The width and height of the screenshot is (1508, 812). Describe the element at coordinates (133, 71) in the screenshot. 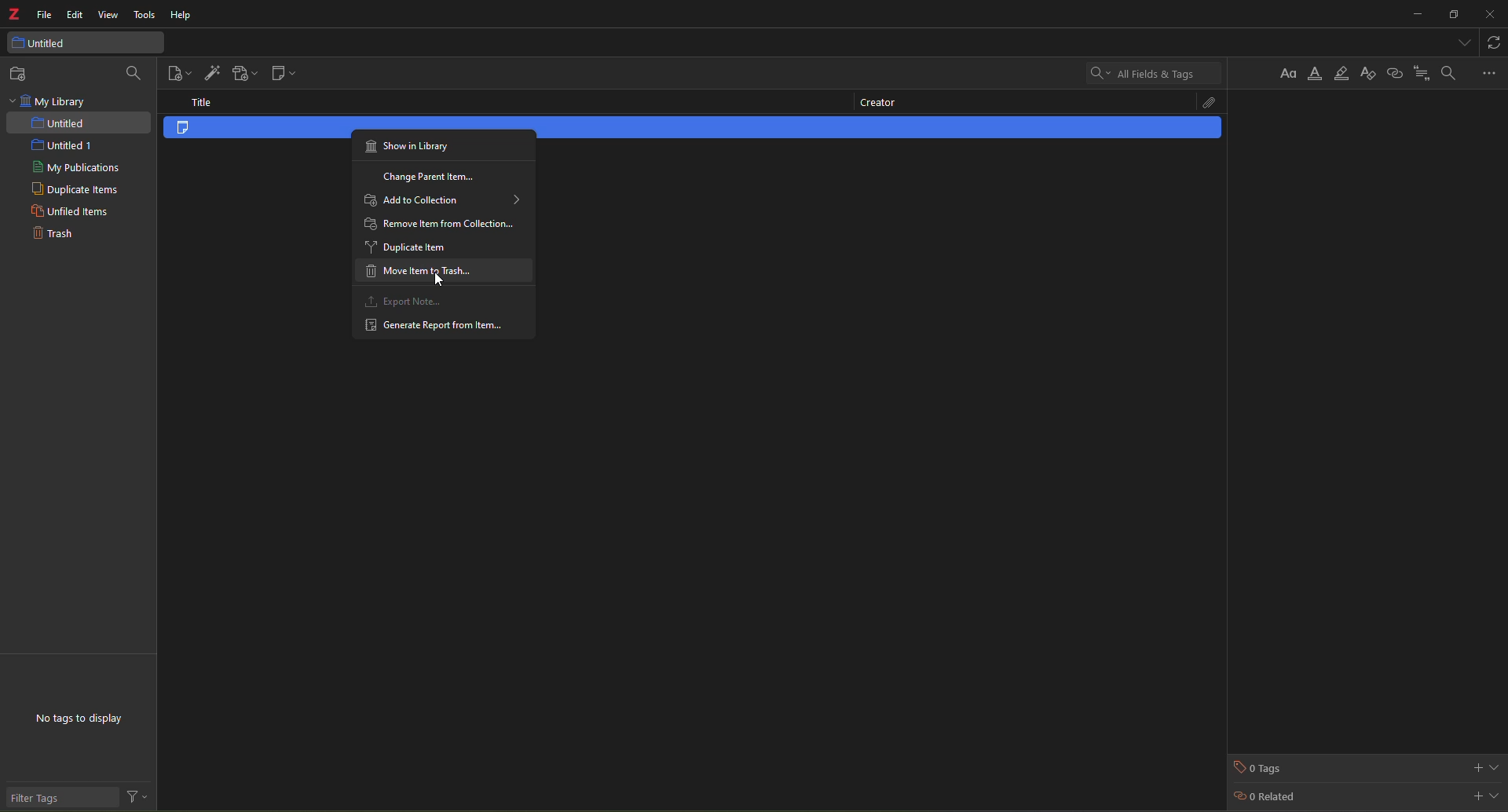

I see `search` at that location.